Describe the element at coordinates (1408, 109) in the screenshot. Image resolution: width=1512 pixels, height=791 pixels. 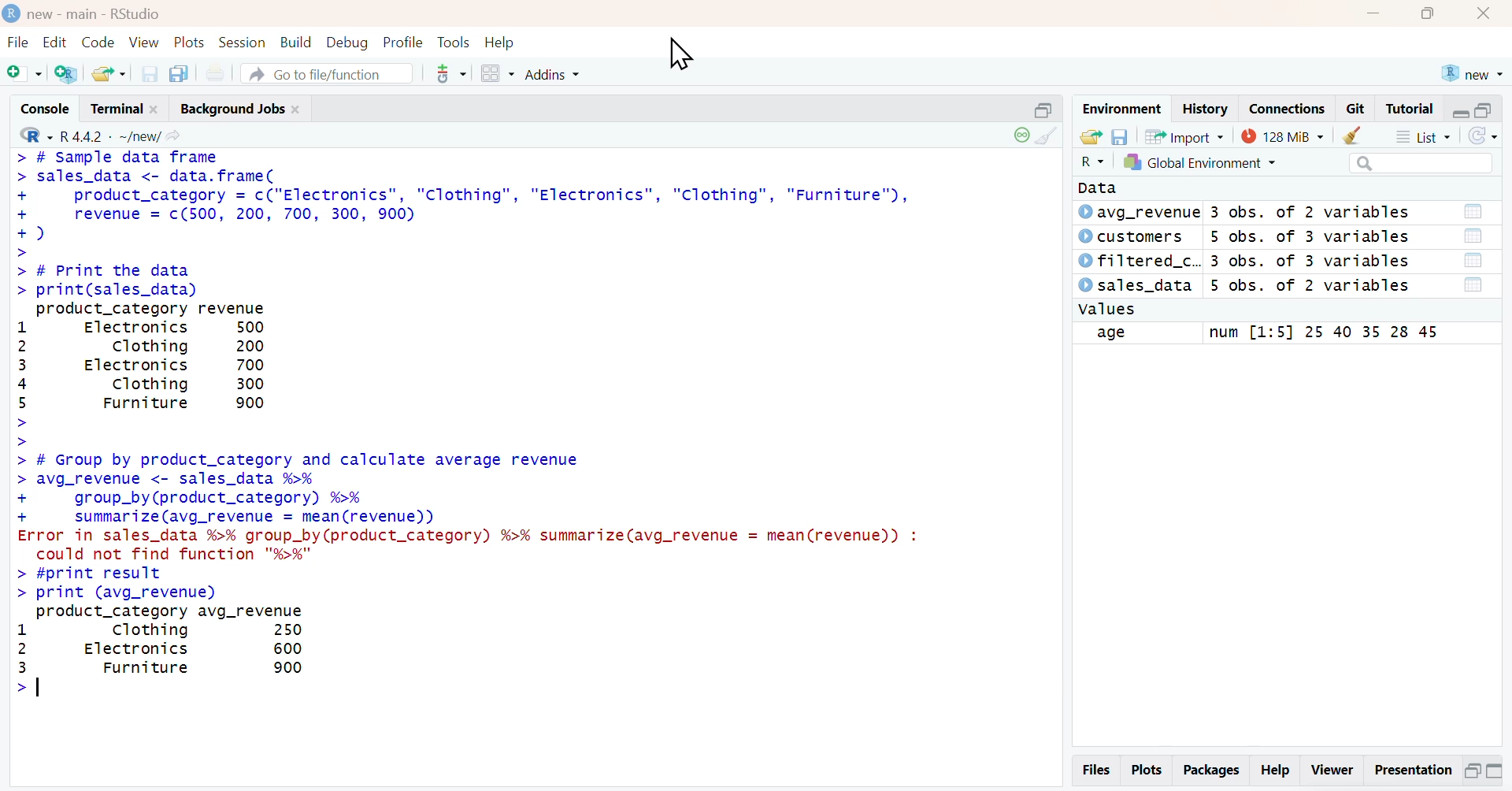
I see `Tutorial` at that location.